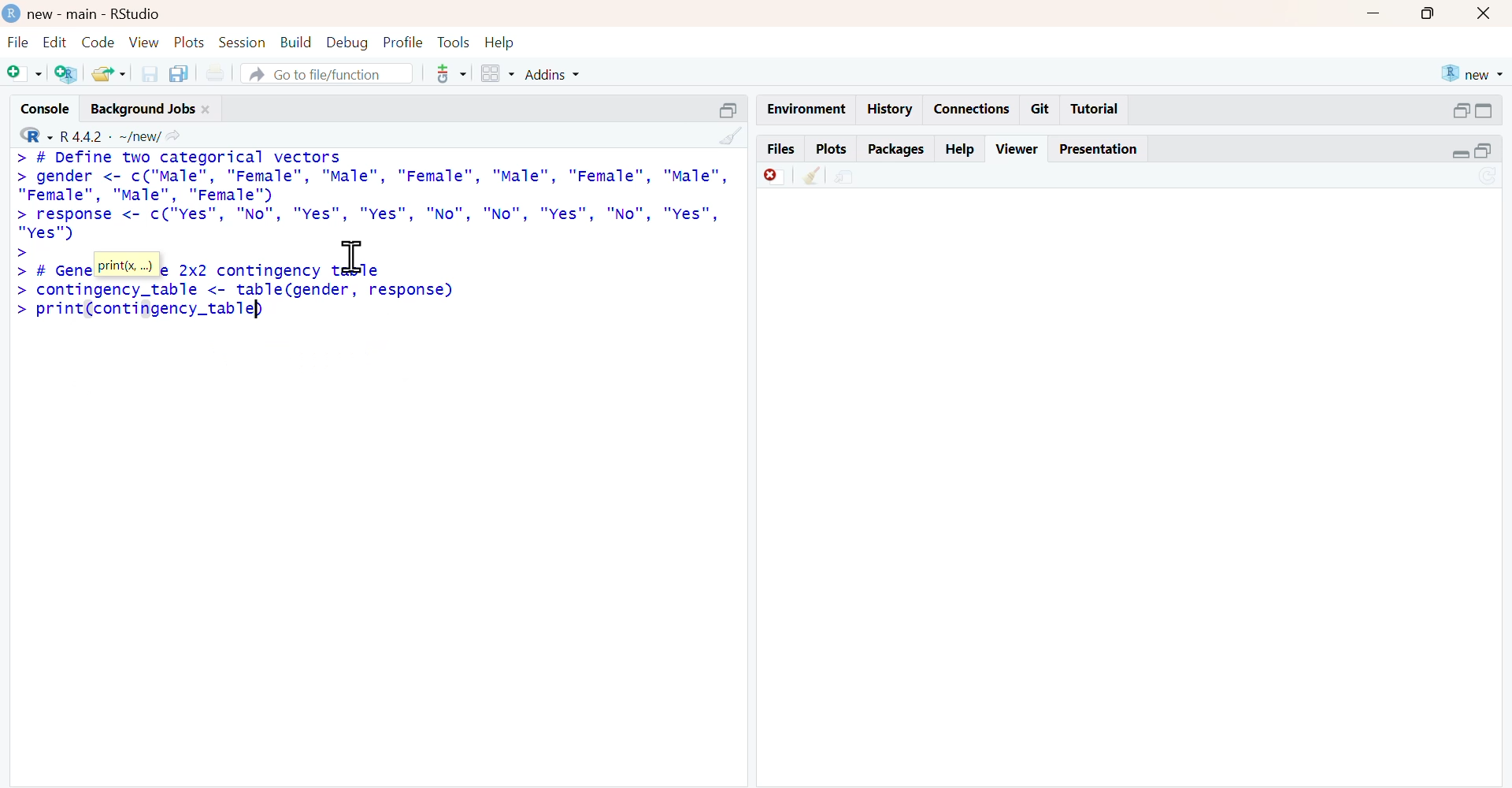  What do you see at coordinates (328, 72) in the screenshot?
I see `go to file/function` at bounding box center [328, 72].